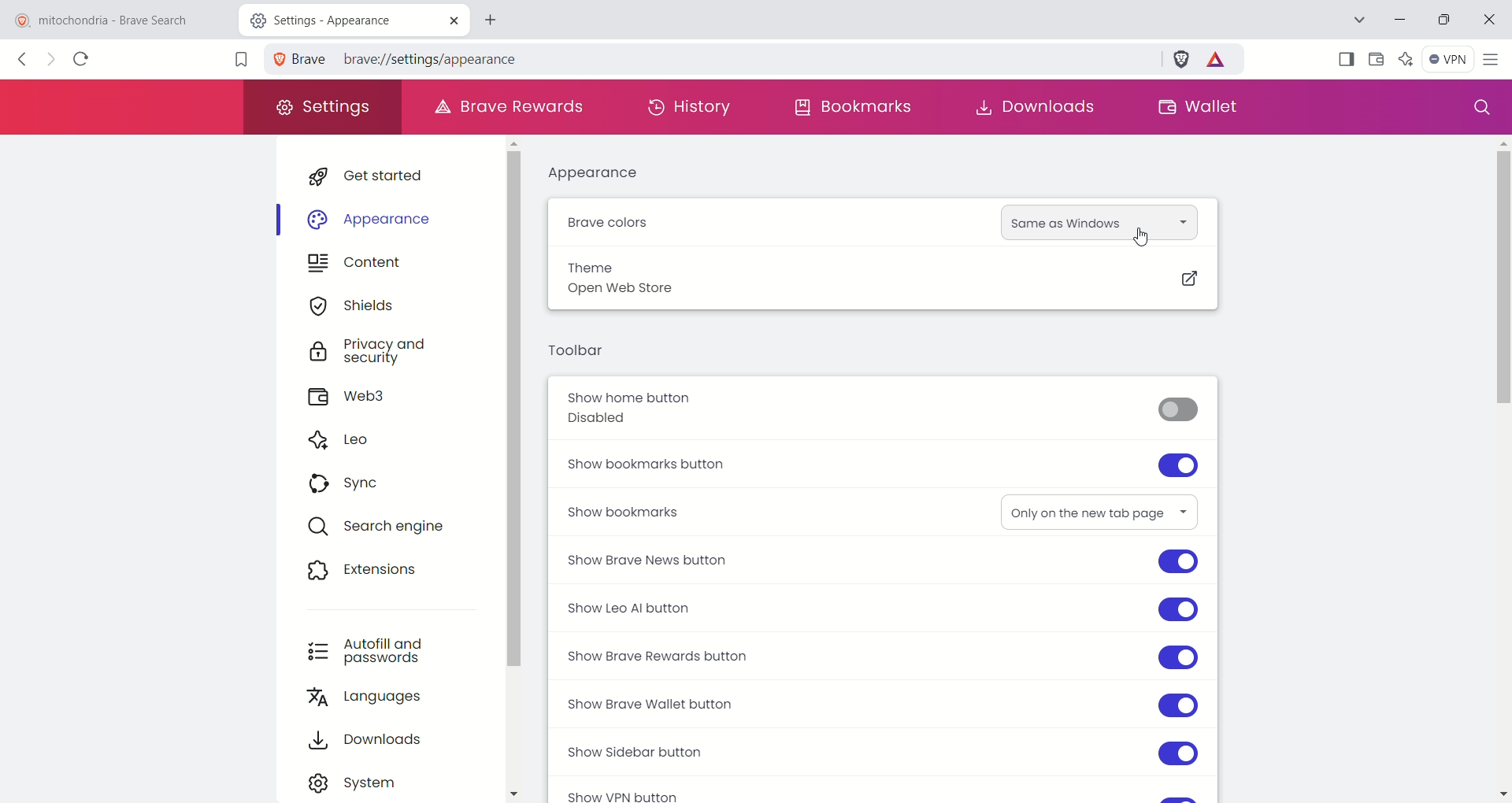  What do you see at coordinates (1357, 19) in the screenshot?
I see `search tab` at bounding box center [1357, 19].